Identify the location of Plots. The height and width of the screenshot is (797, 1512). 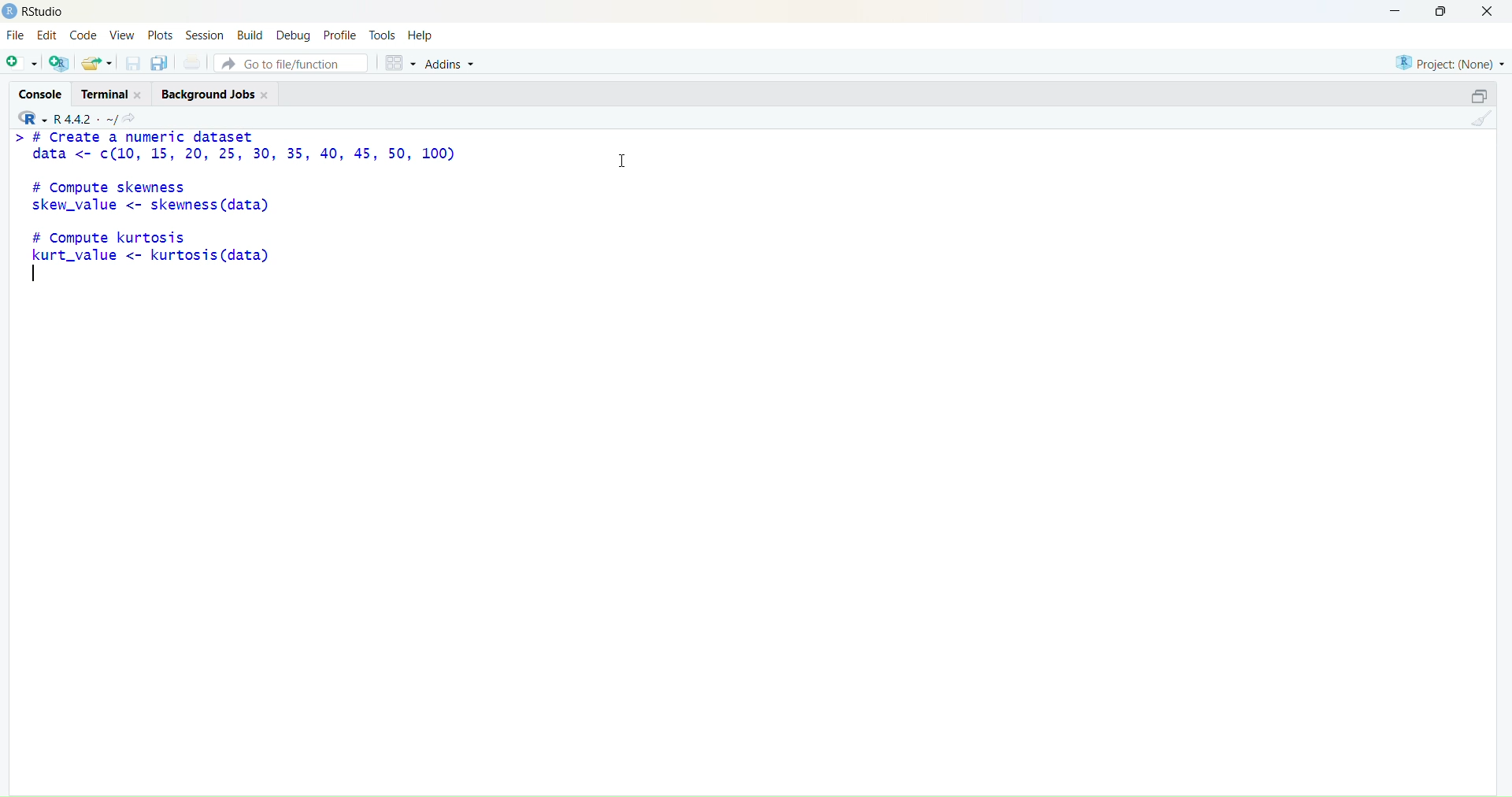
(161, 35).